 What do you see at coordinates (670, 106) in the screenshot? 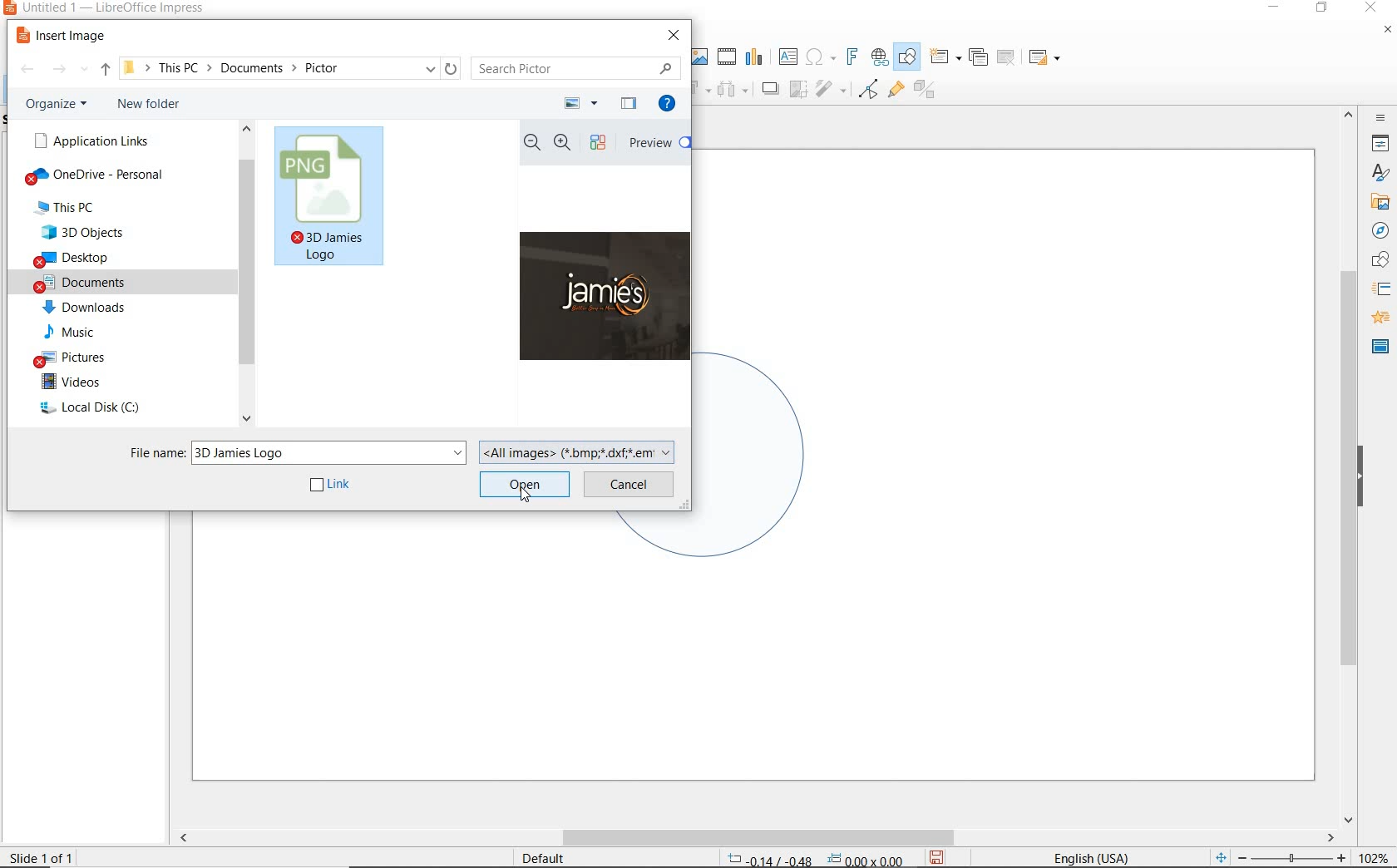
I see `help` at bounding box center [670, 106].